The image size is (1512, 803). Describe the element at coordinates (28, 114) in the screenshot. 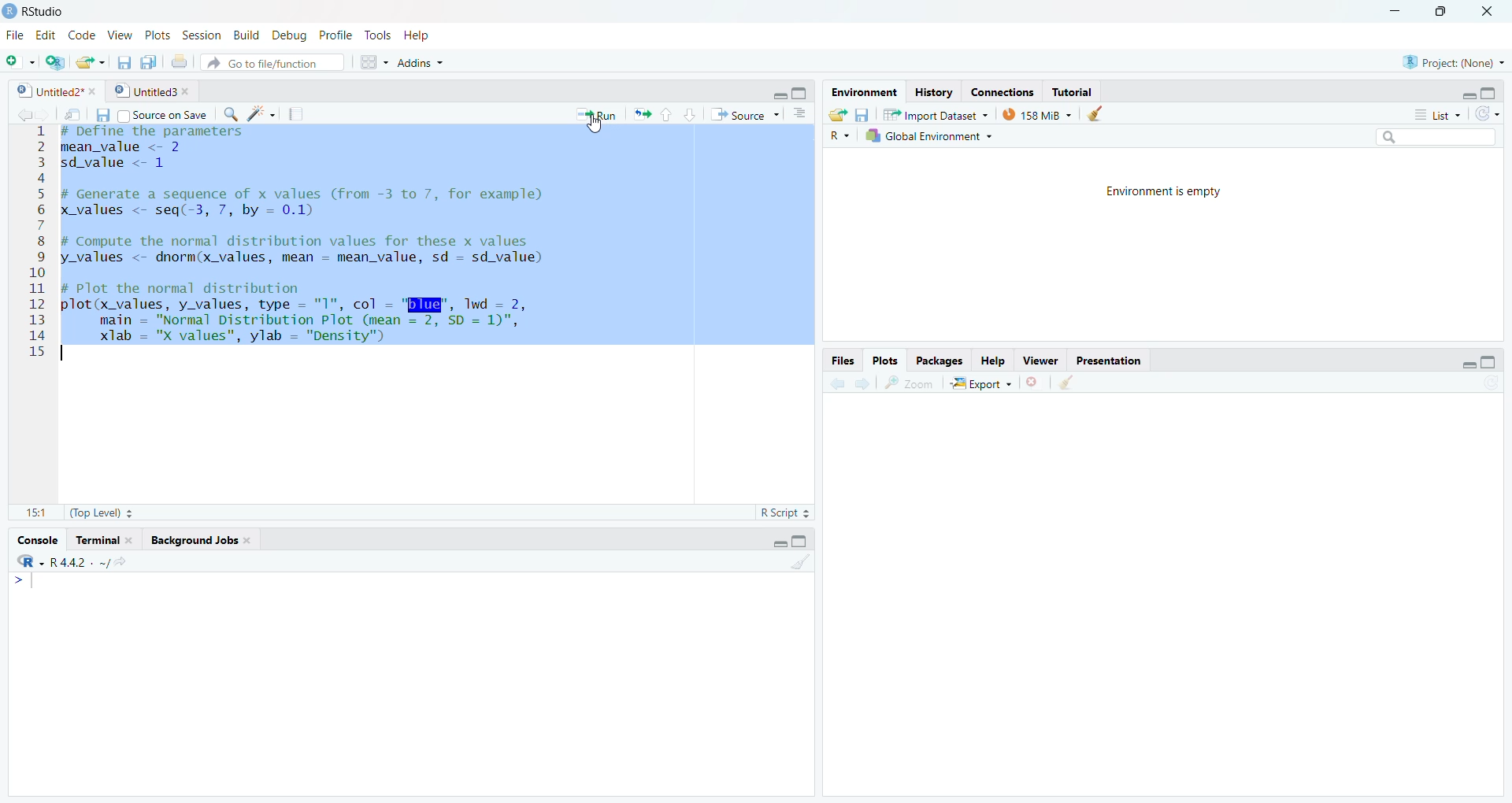

I see `forward/backward` at that location.